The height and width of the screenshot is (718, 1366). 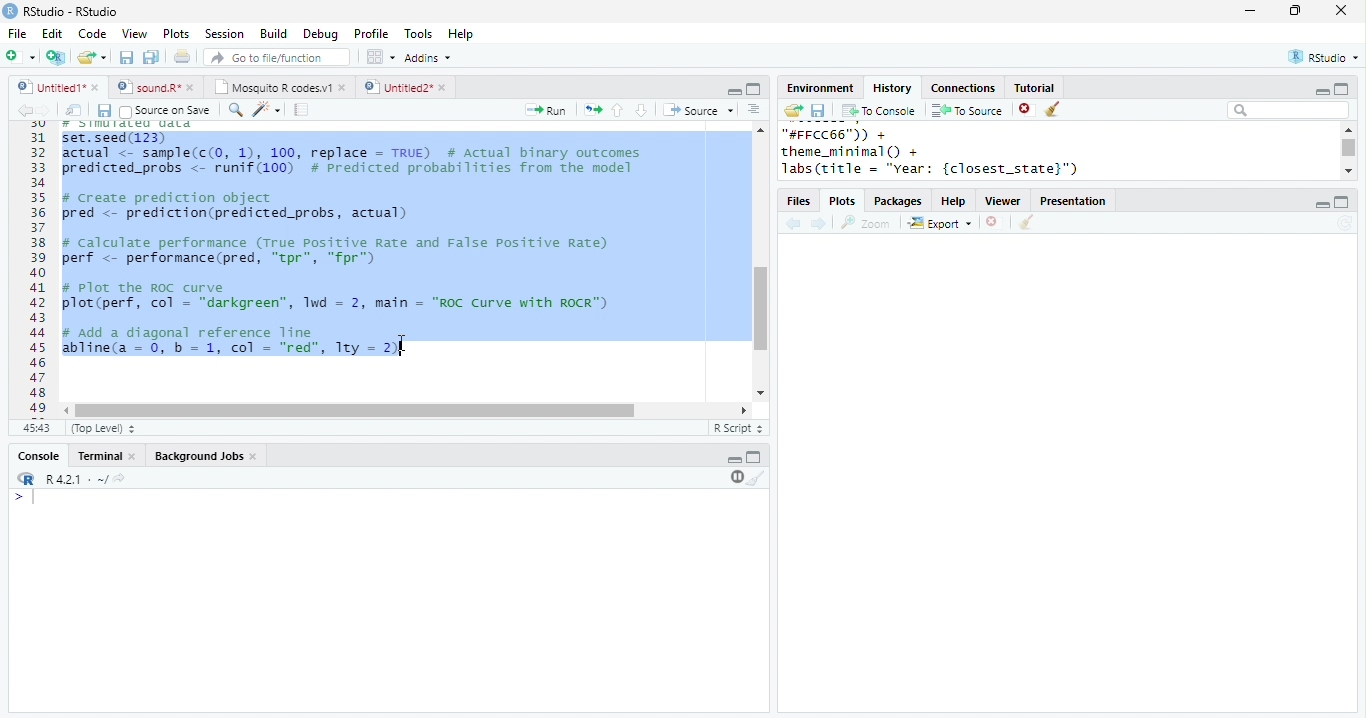 I want to click on Source, so click(x=700, y=110).